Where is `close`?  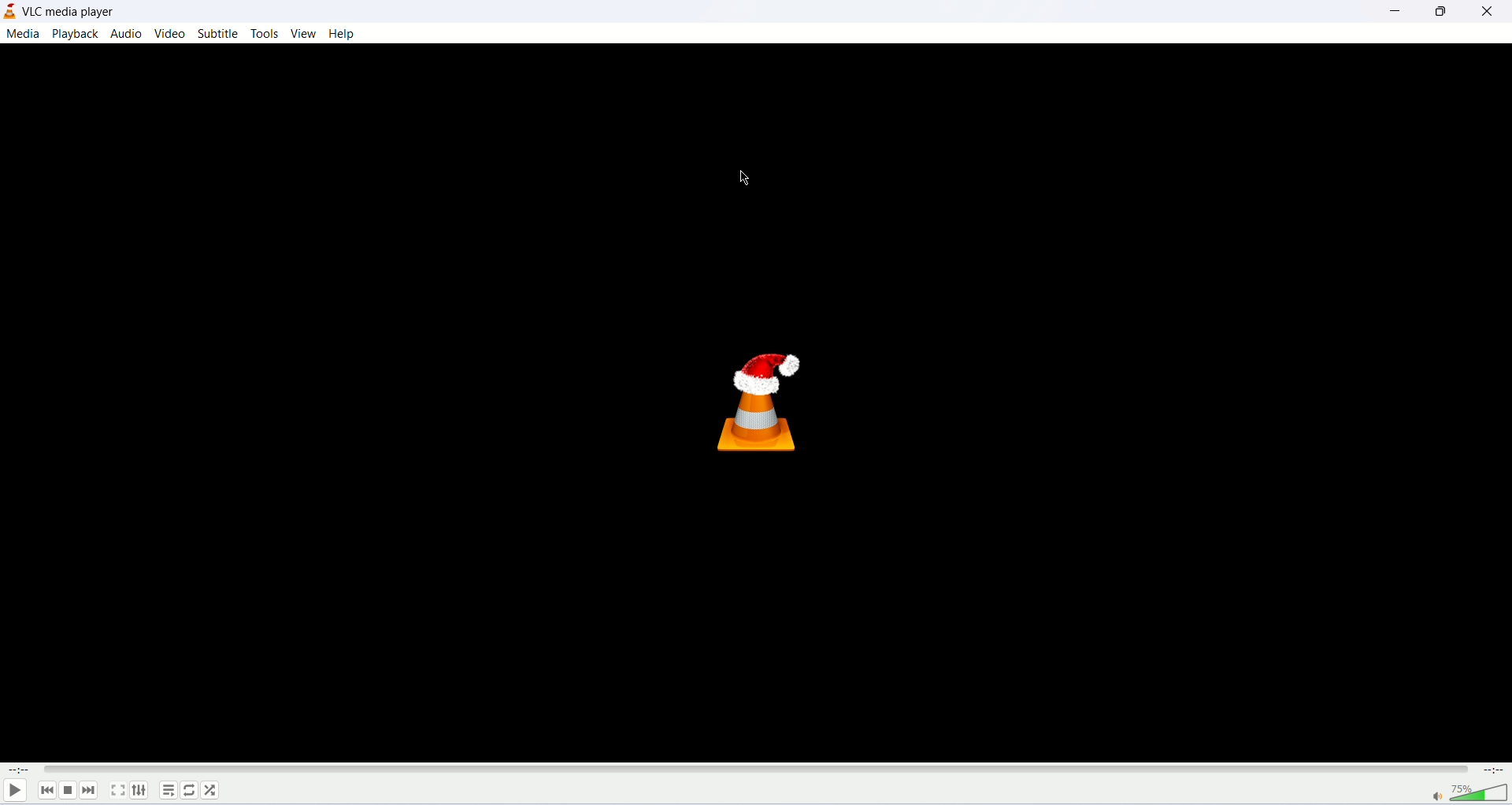
close is located at coordinates (1486, 14).